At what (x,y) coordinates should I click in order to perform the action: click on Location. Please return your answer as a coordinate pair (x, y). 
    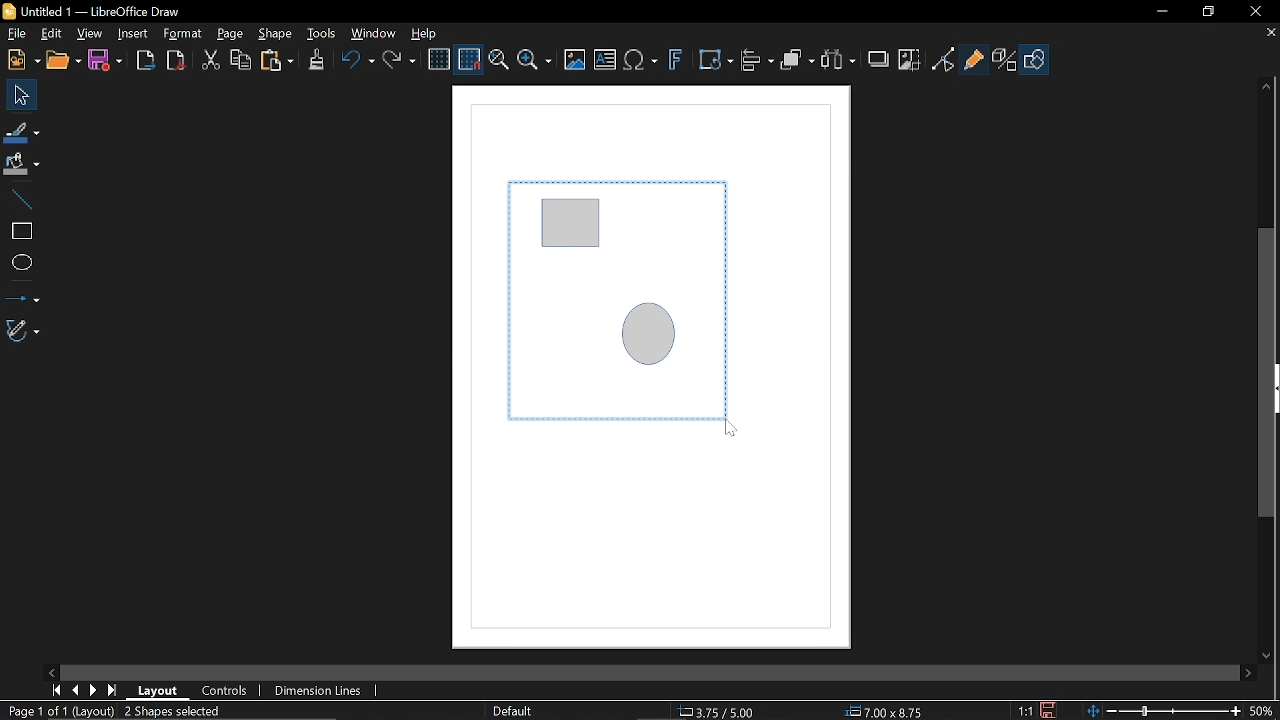
    Looking at the image, I should click on (719, 712).